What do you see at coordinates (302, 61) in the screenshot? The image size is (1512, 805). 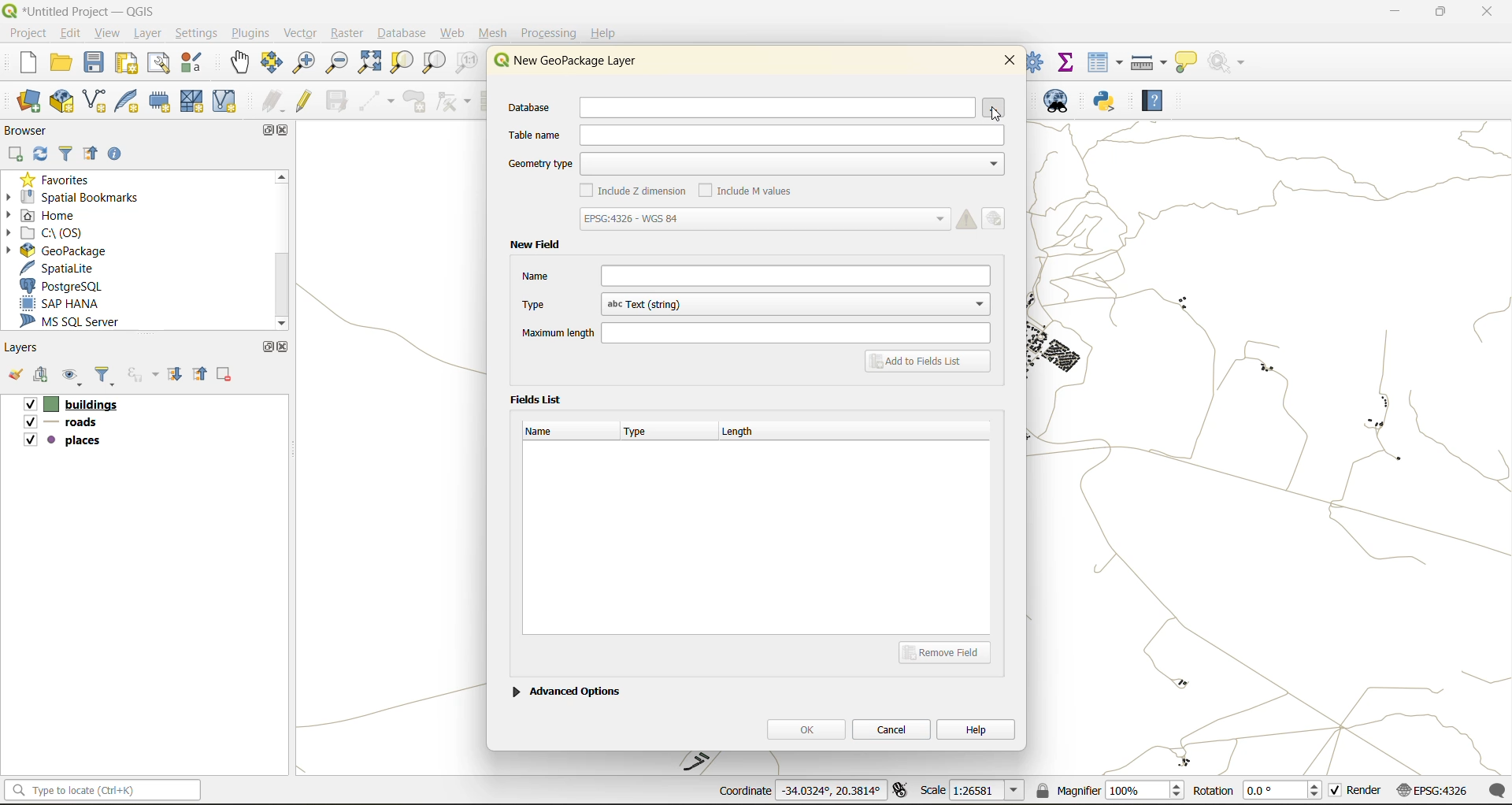 I see `zoom in` at bounding box center [302, 61].